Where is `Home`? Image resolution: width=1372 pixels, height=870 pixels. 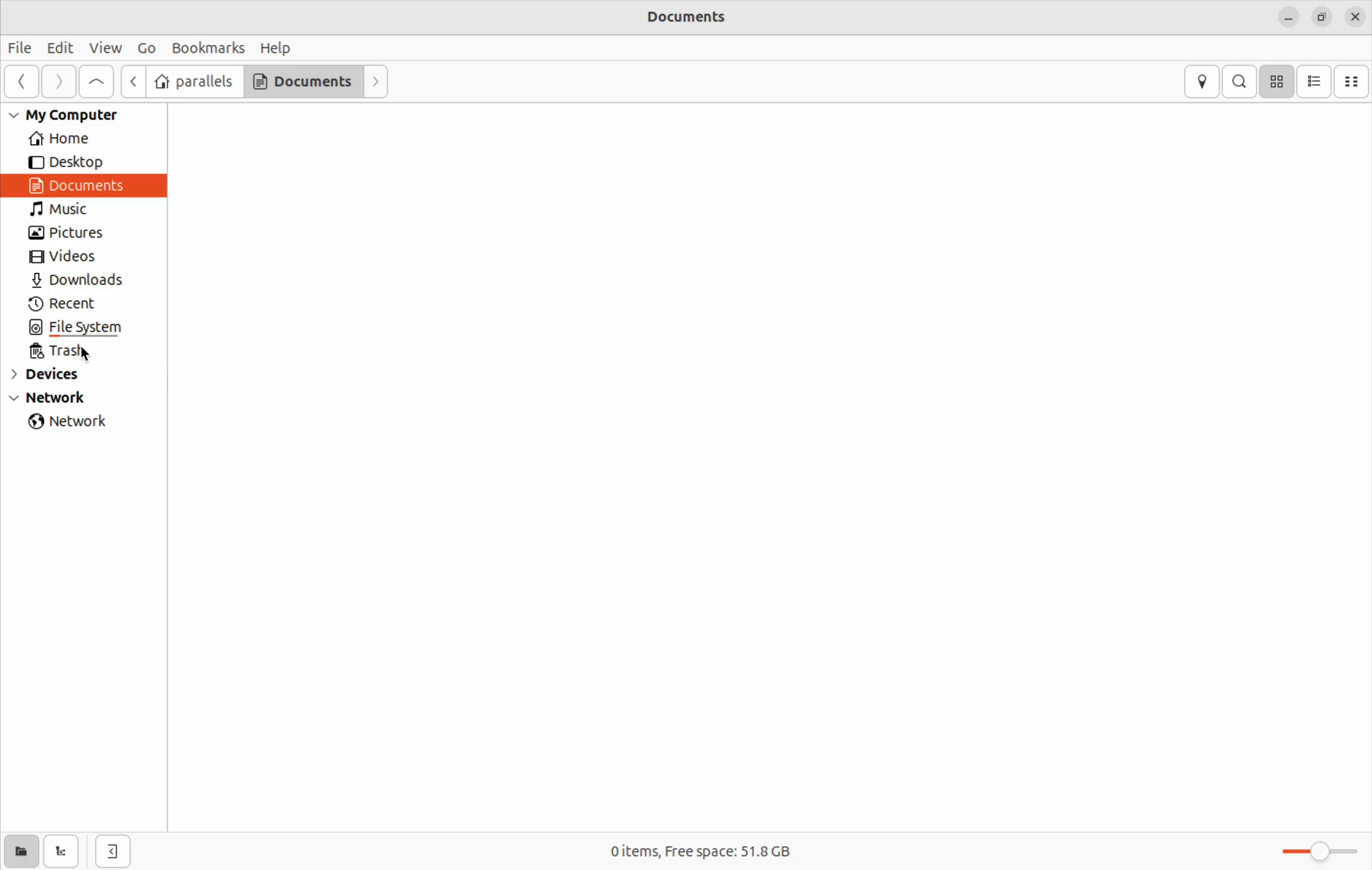
Home is located at coordinates (72, 139).